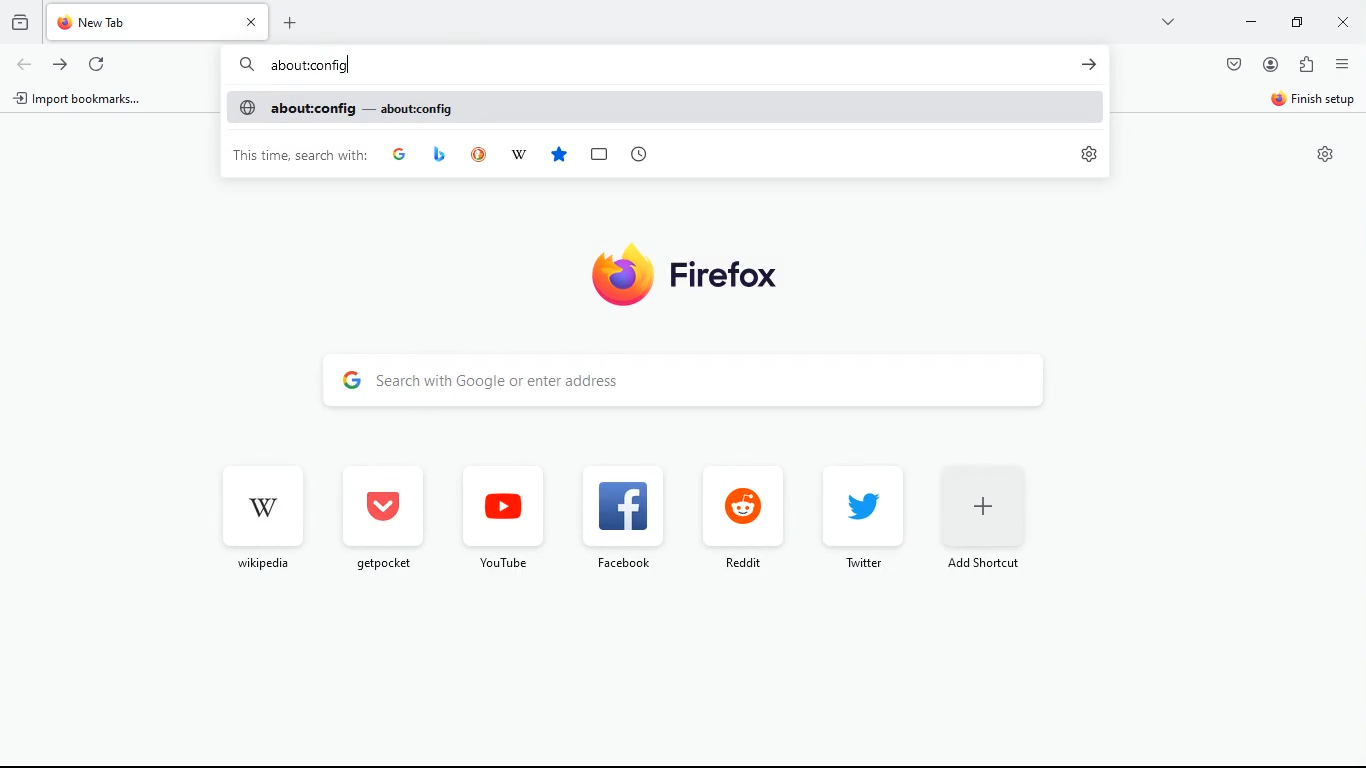 This screenshot has width=1366, height=768. I want to click on search, so click(1089, 64).